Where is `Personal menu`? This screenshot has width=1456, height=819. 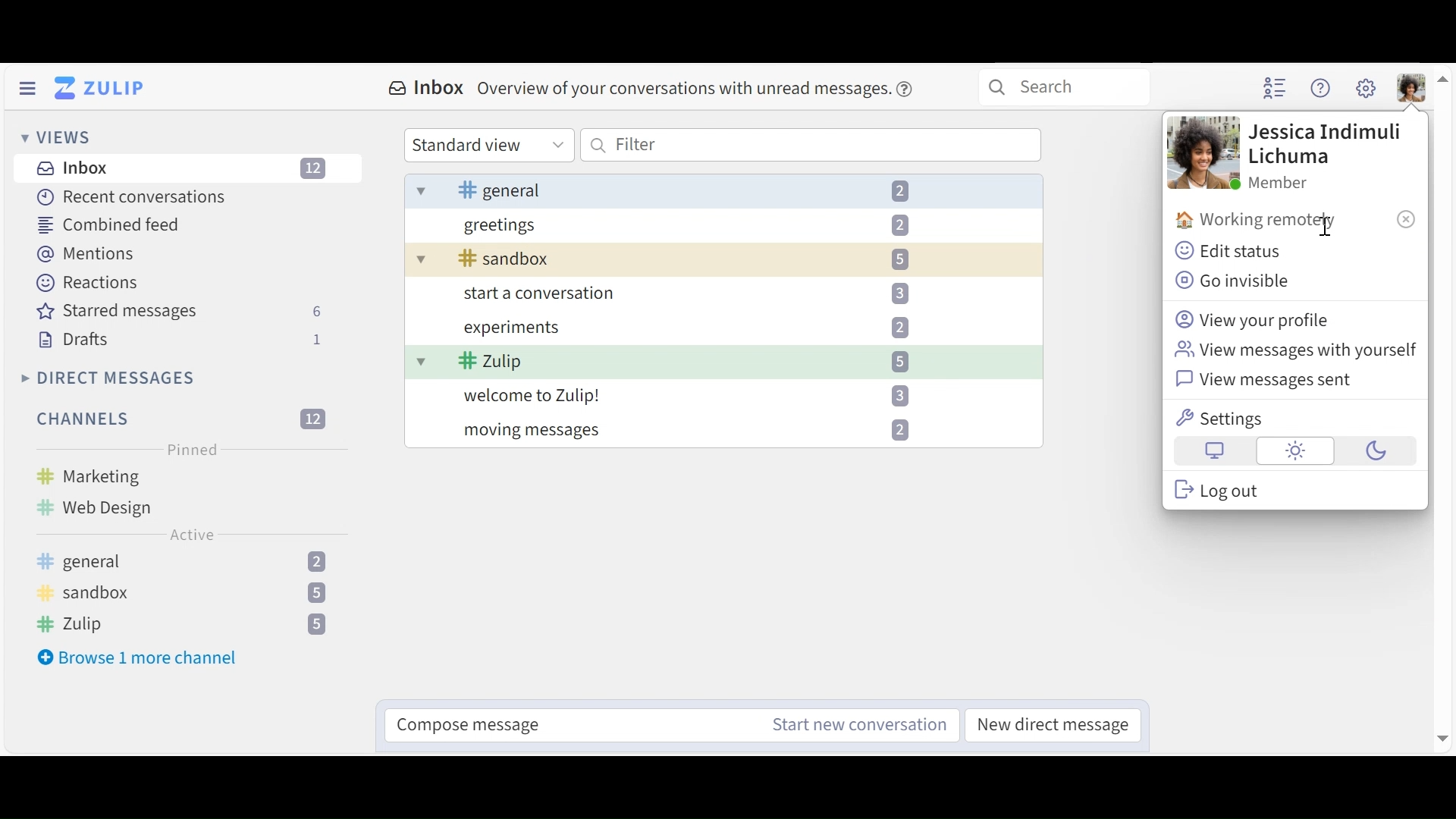
Personal menu is located at coordinates (1412, 87).